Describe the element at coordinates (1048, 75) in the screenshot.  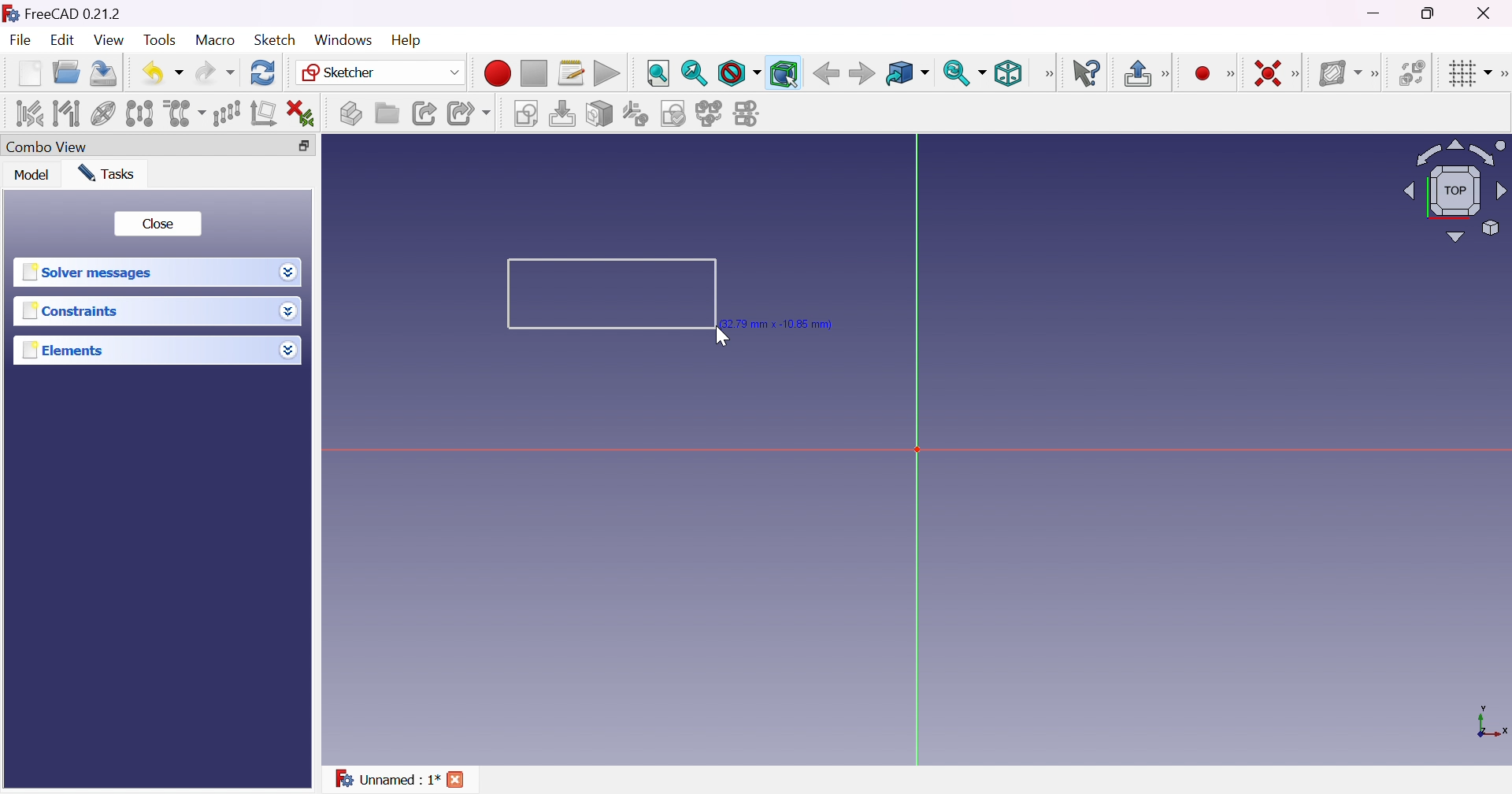
I see `View` at that location.